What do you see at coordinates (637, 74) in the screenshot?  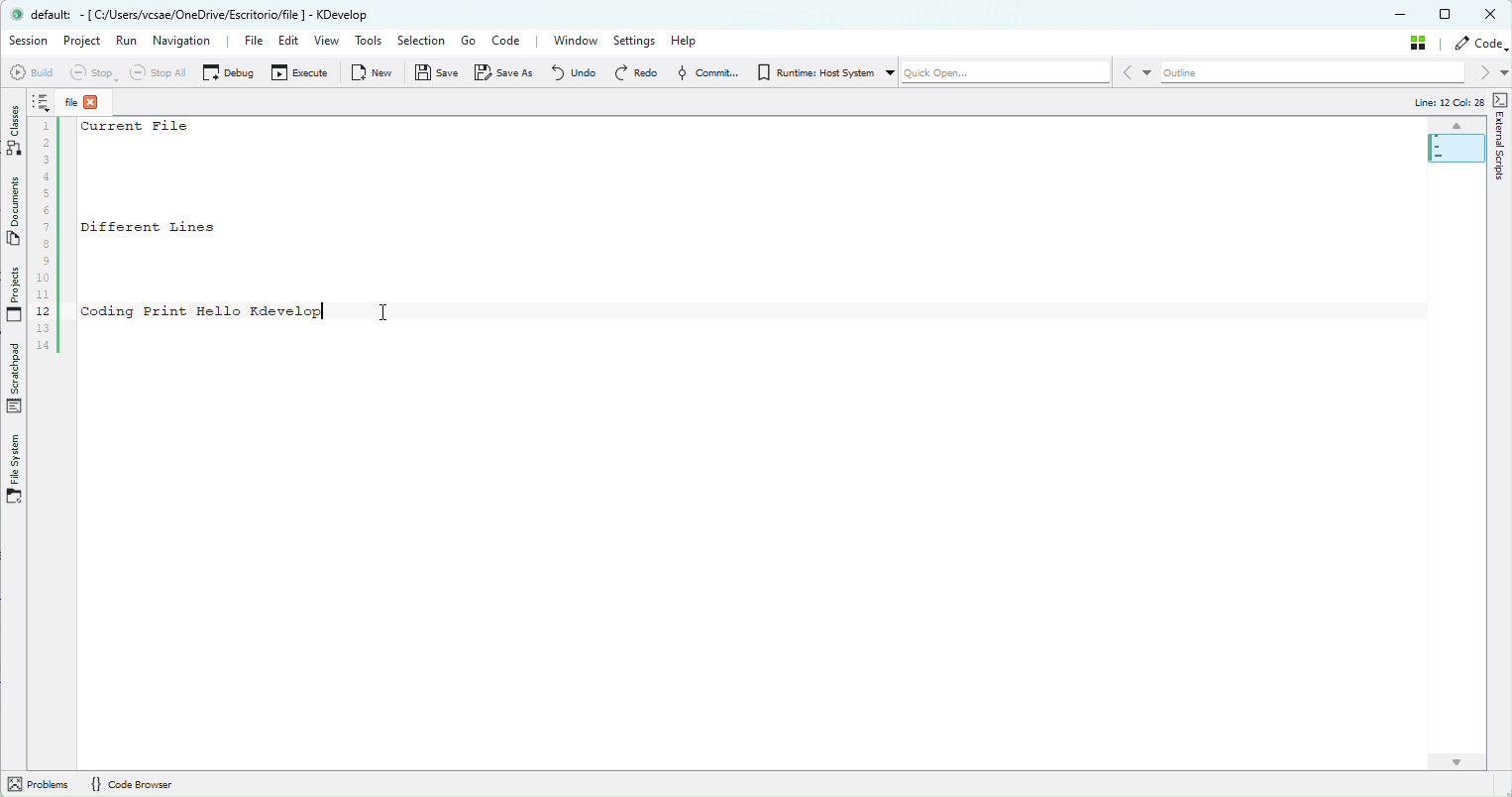 I see `Redo` at bounding box center [637, 74].